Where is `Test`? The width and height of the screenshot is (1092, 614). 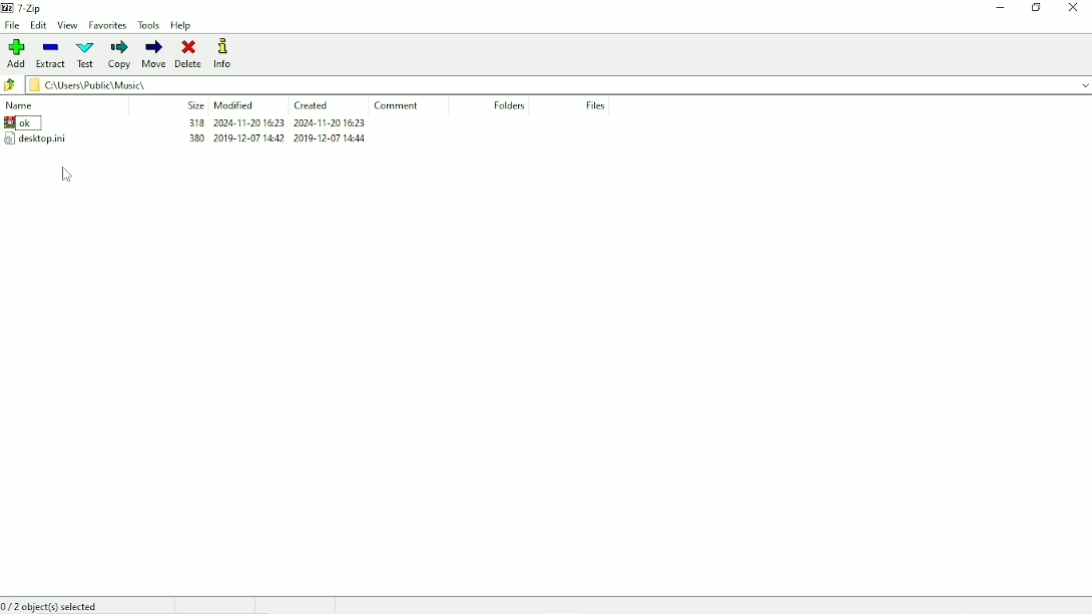 Test is located at coordinates (84, 54).